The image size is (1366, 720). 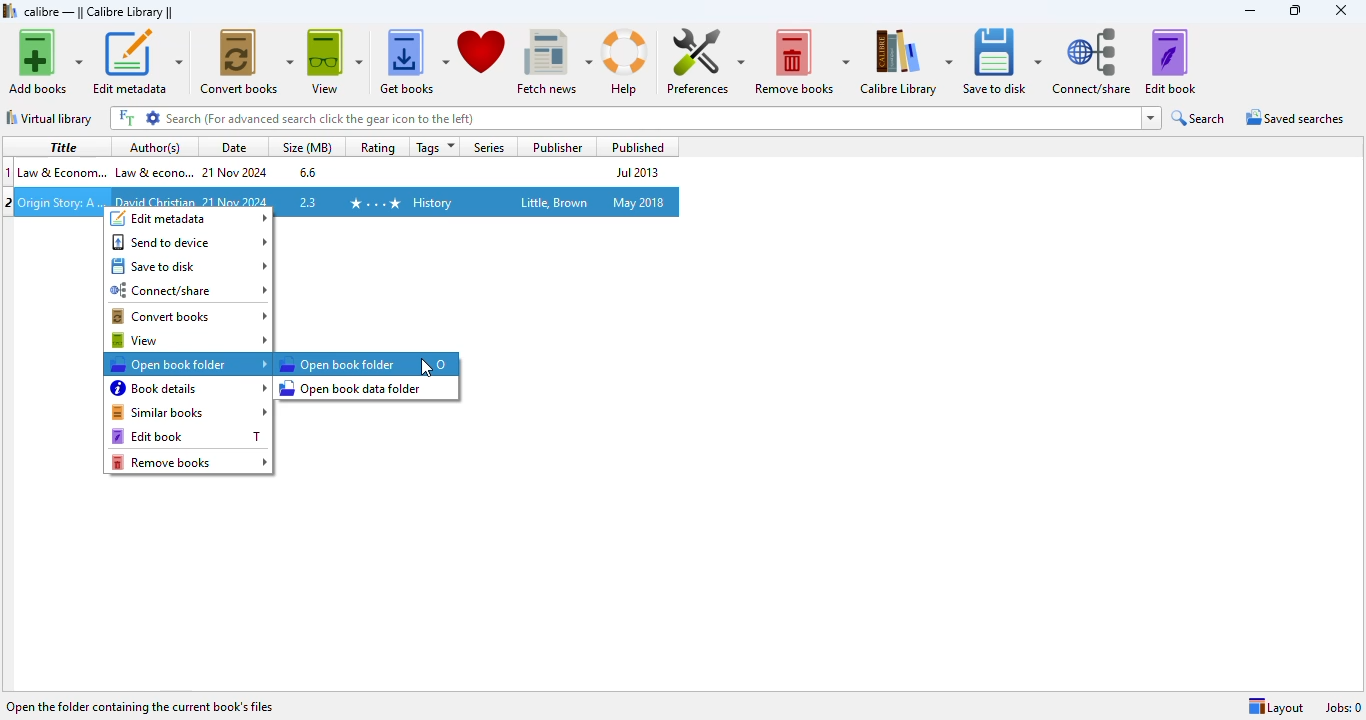 I want to click on add books, so click(x=44, y=61).